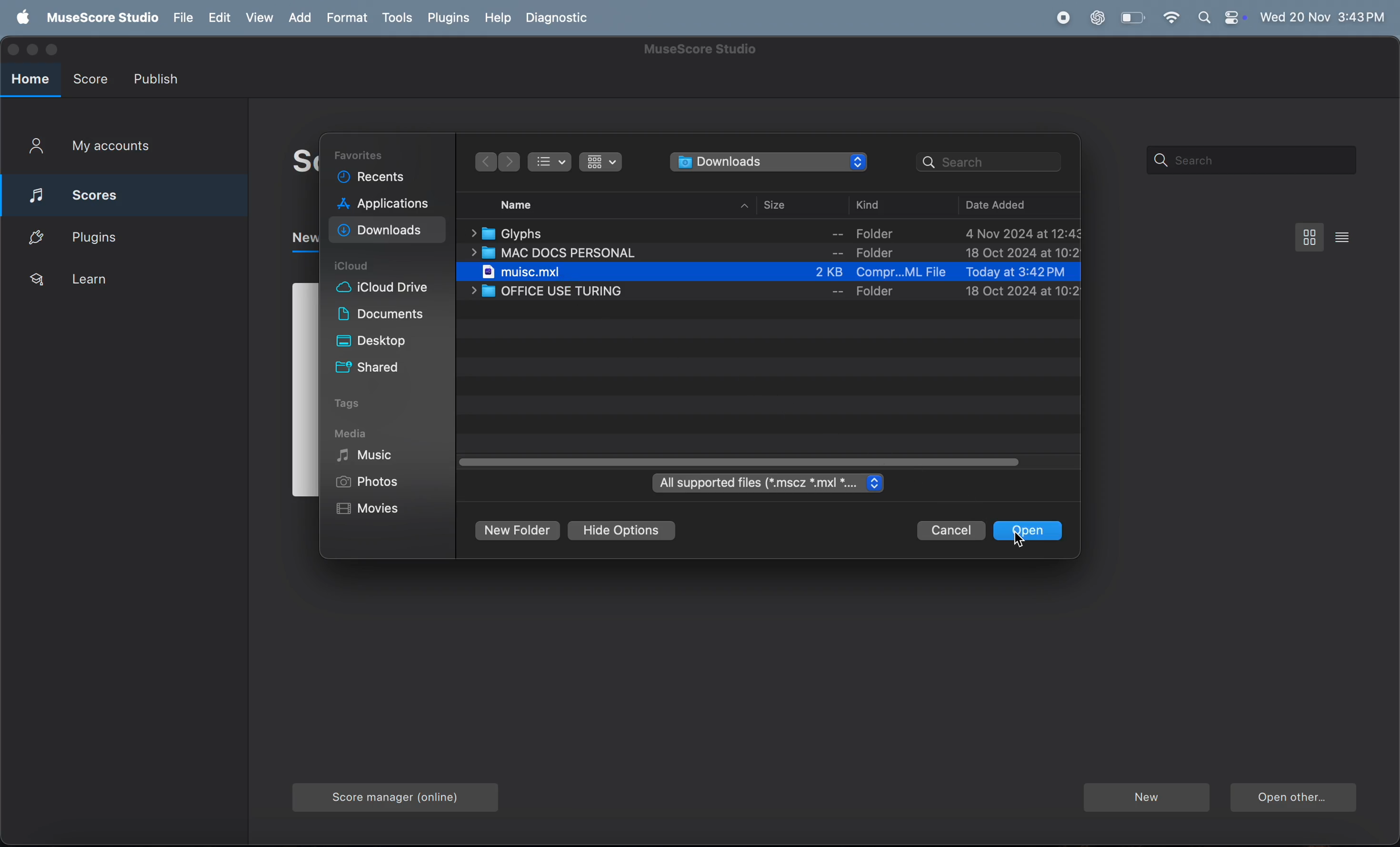  I want to click on downloads, so click(769, 163).